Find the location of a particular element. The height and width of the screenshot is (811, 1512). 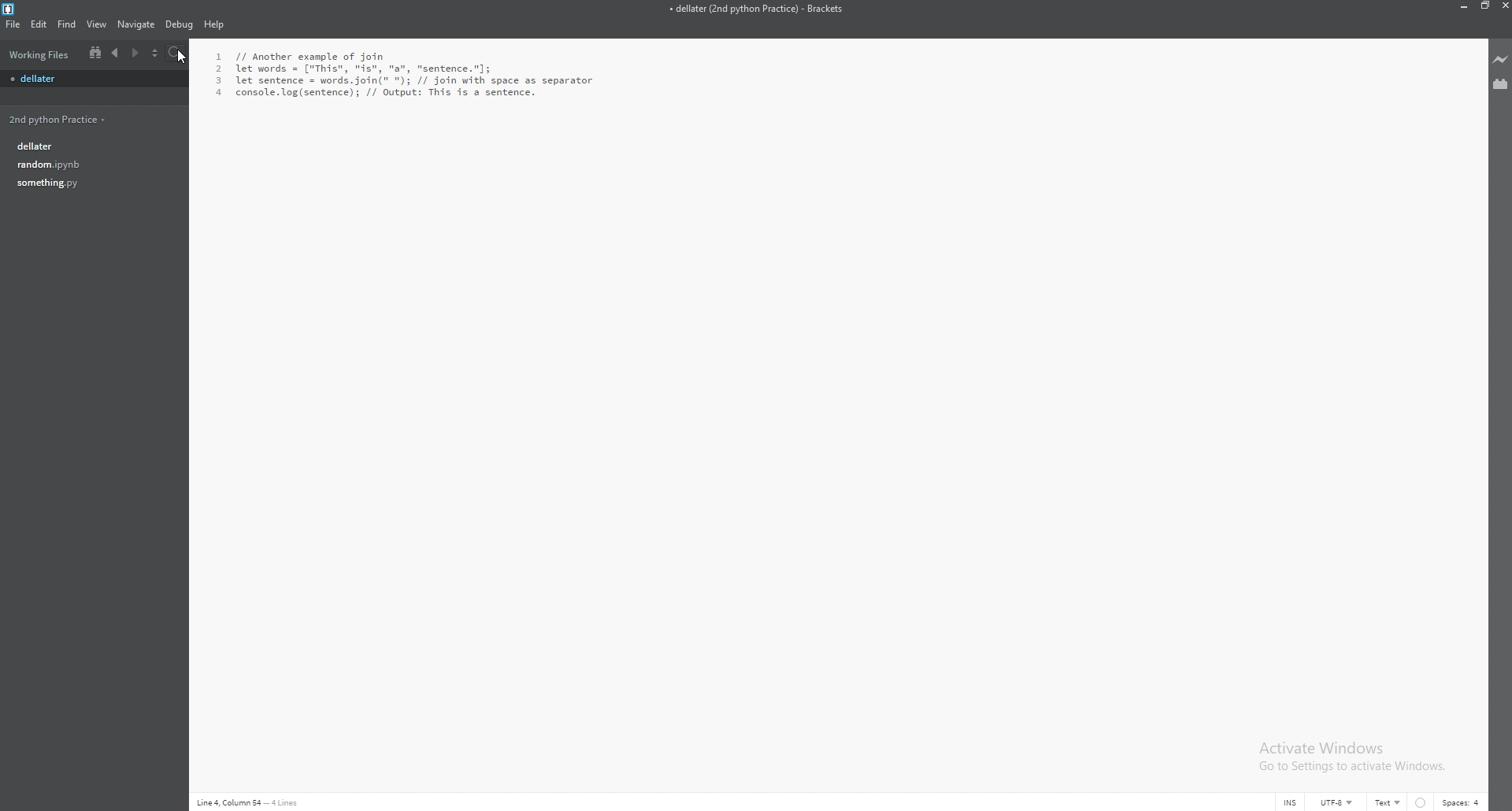

» dellater (2nd python Practice) - Brackets is located at coordinates (765, 14).